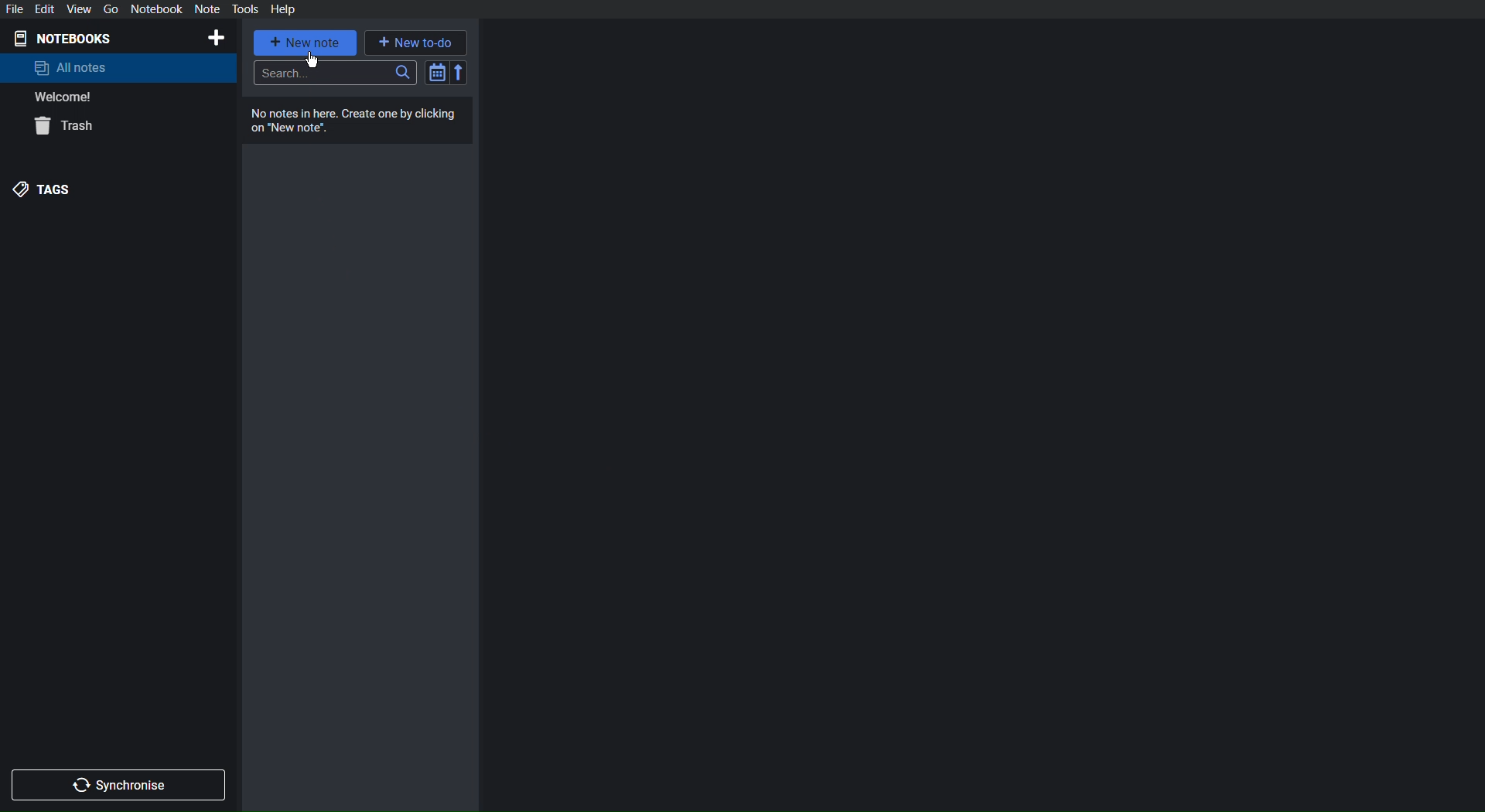 The width and height of the screenshot is (1485, 812). Describe the element at coordinates (415, 41) in the screenshot. I see `New to-do` at that location.